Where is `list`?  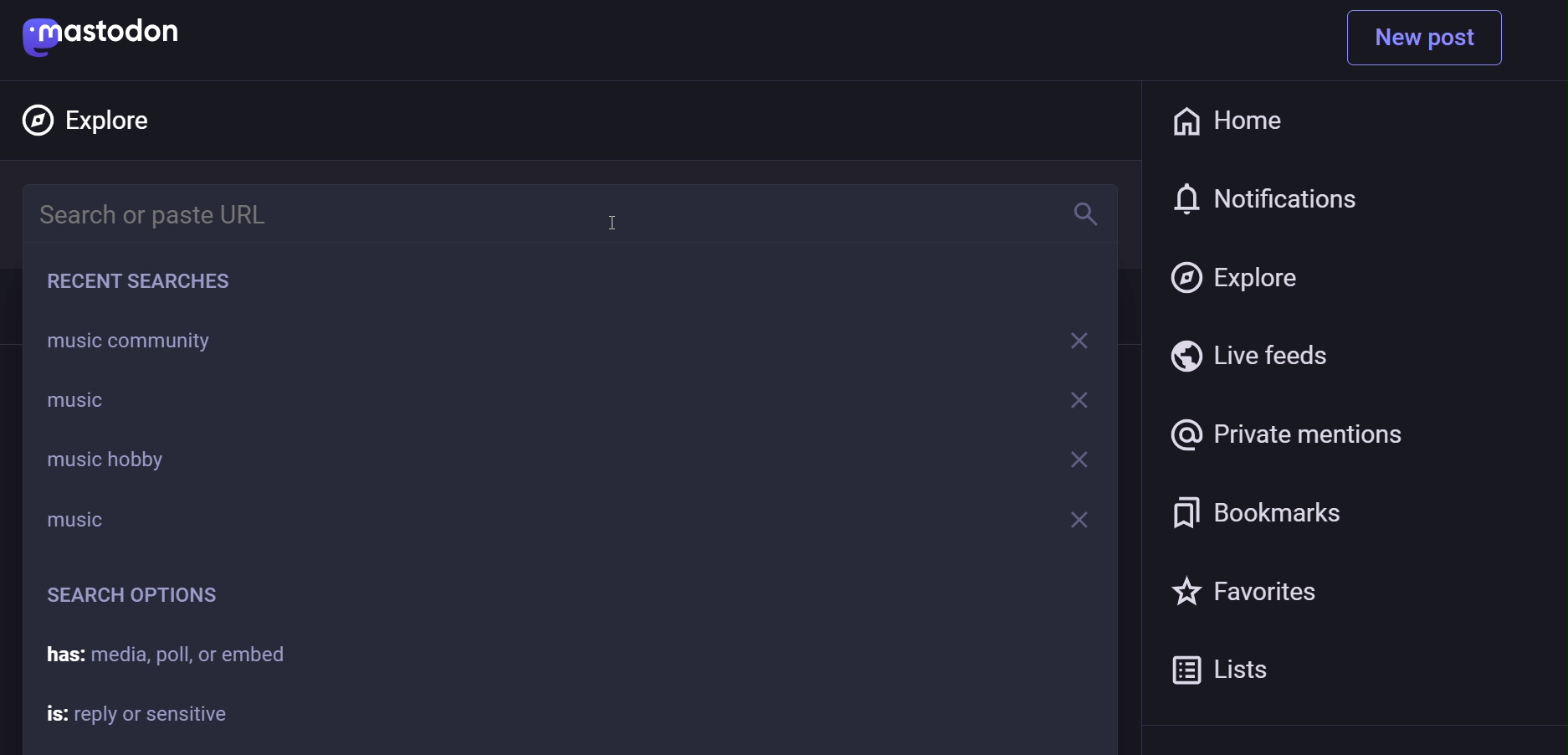
list is located at coordinates (1224, 666).